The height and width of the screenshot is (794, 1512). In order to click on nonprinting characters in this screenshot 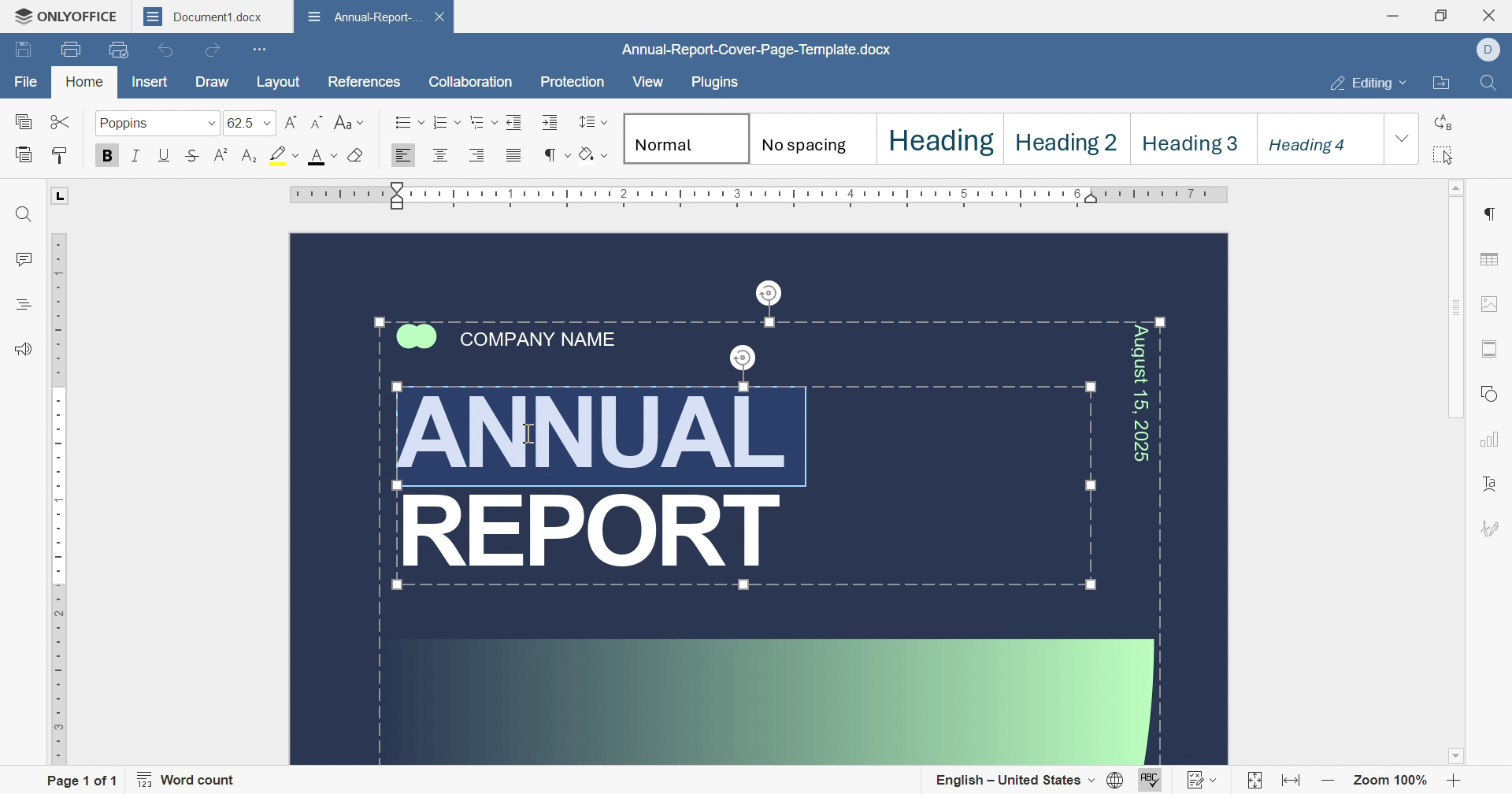, I will do `click(557, 154)`.